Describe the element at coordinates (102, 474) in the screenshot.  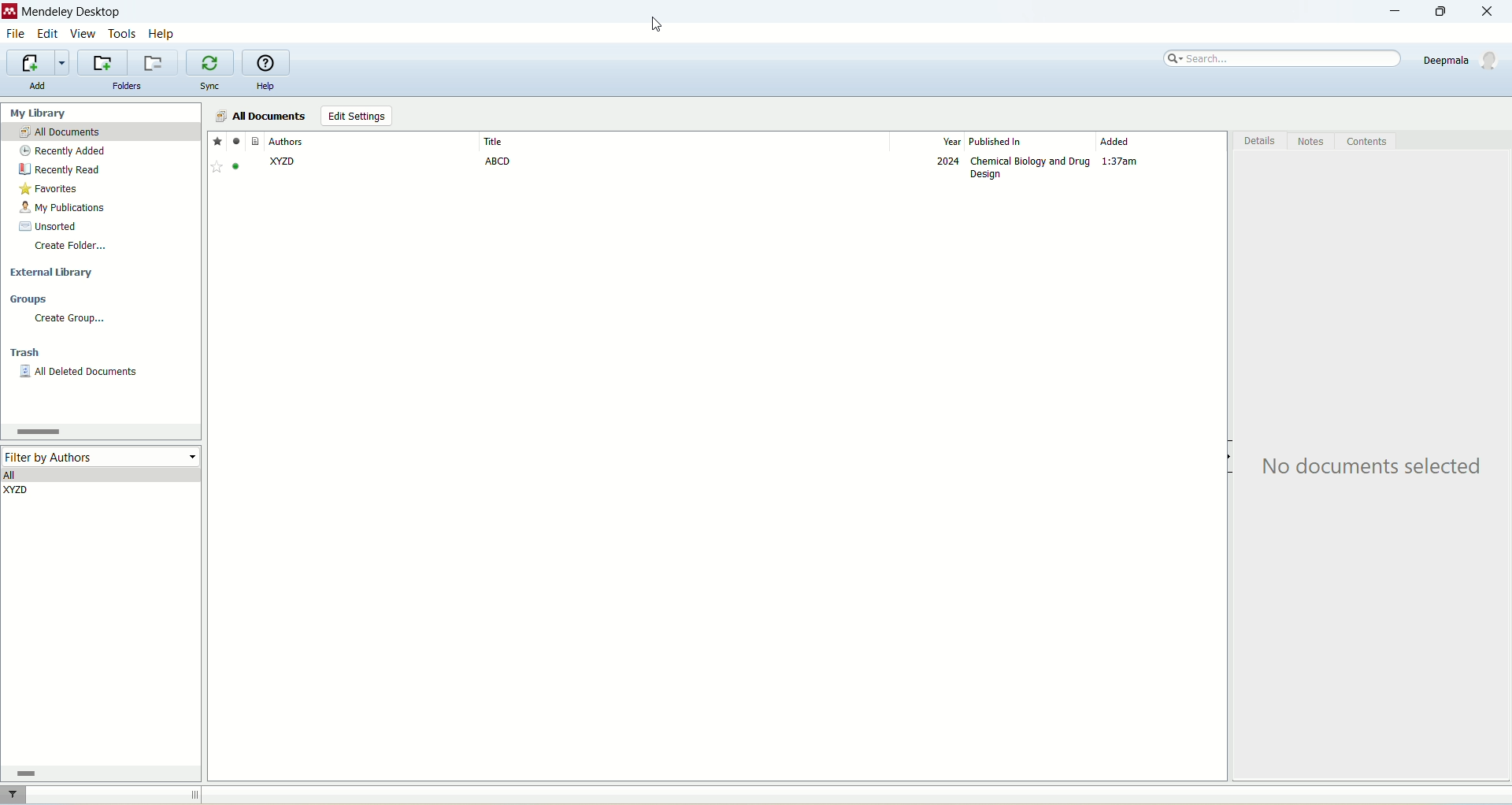
I see `all` at that location.